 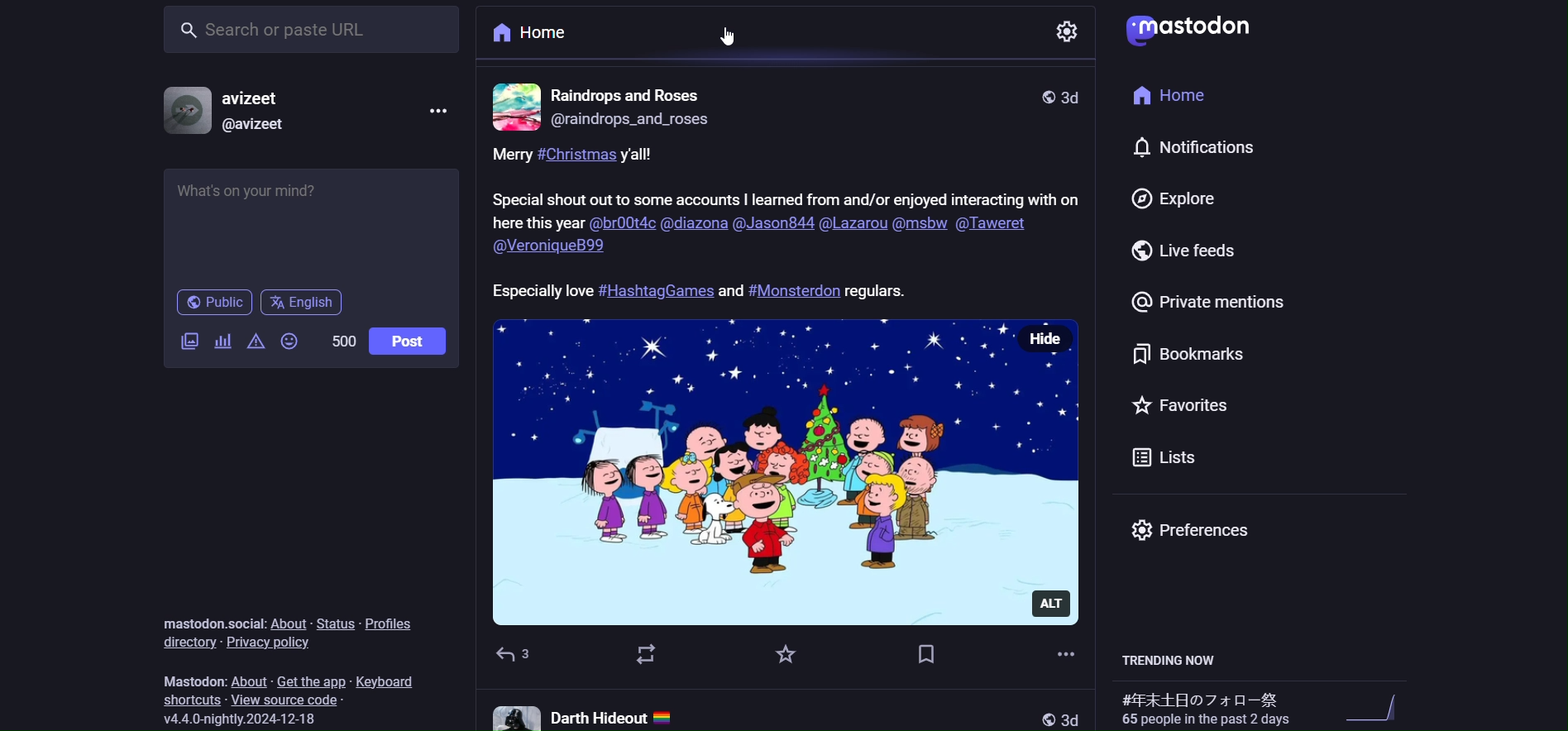 What do you see at coordinates (291, 341) in the screenshot?
I see `emoji` at bounding box center [291, 341].